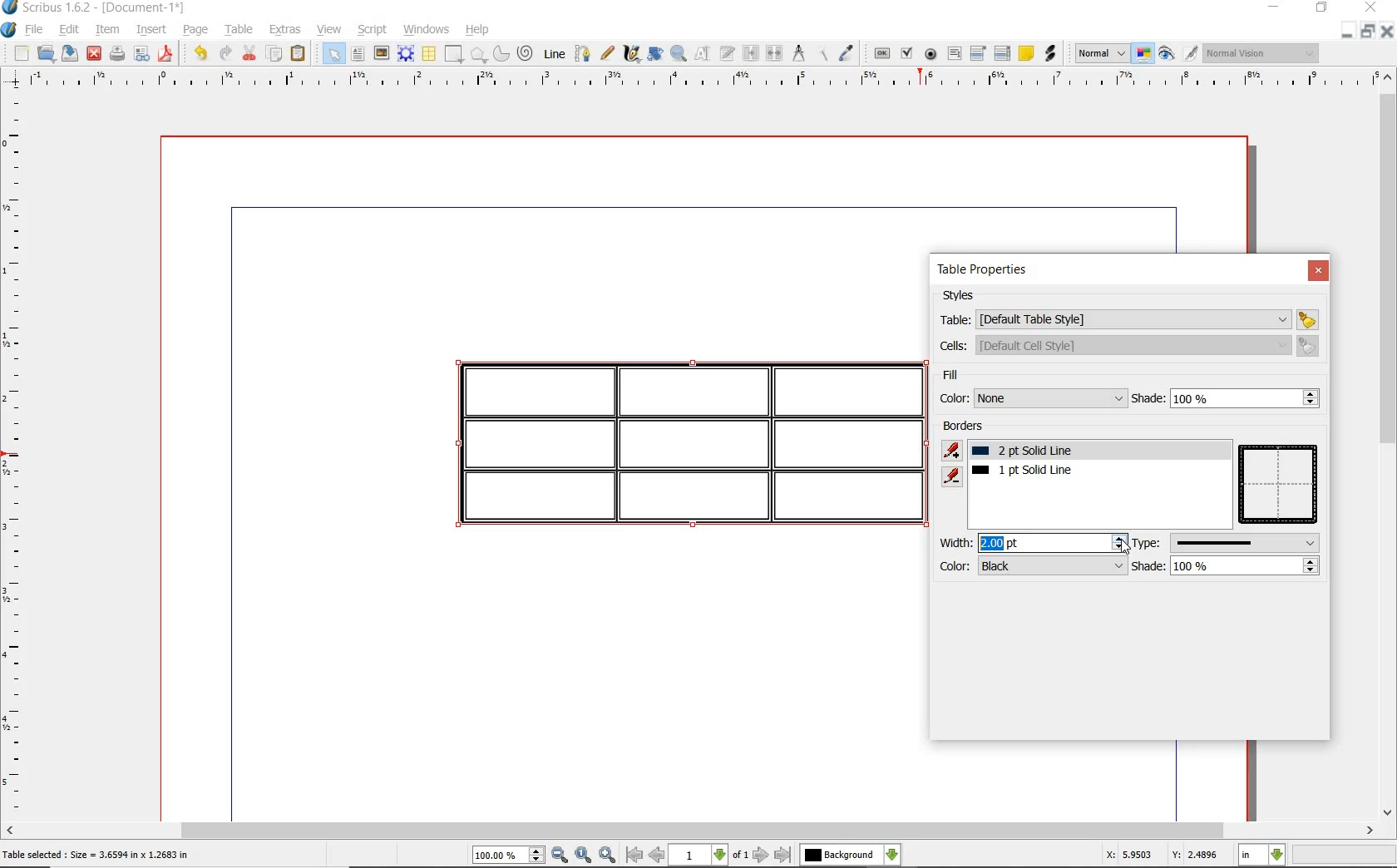 The width and height of the screenshot is (1397, 868). Describe the element at coordinates (118, 55) in the screenshot. I see `print` at that location.